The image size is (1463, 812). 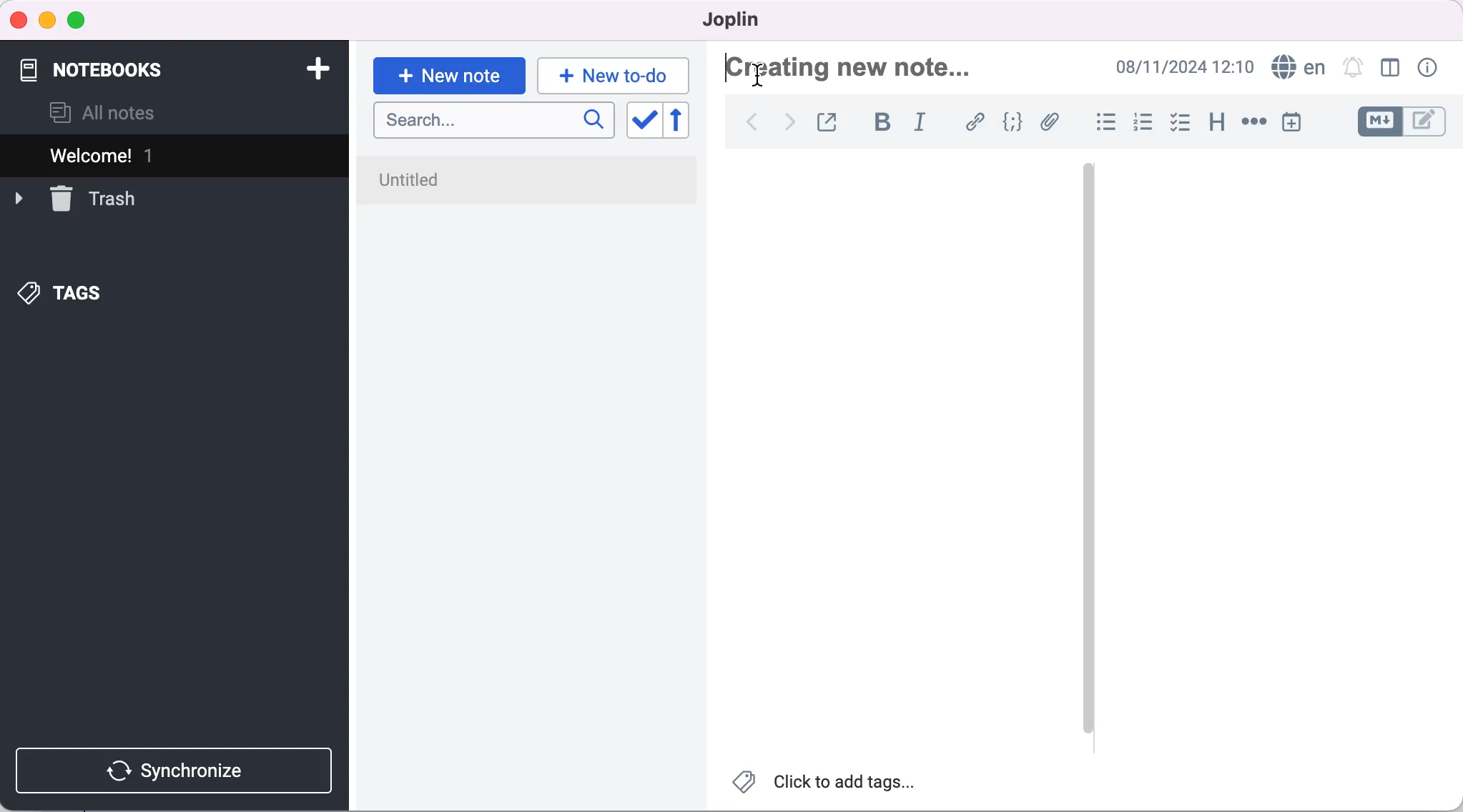 I want to click on close, so click(x=19, y=19).